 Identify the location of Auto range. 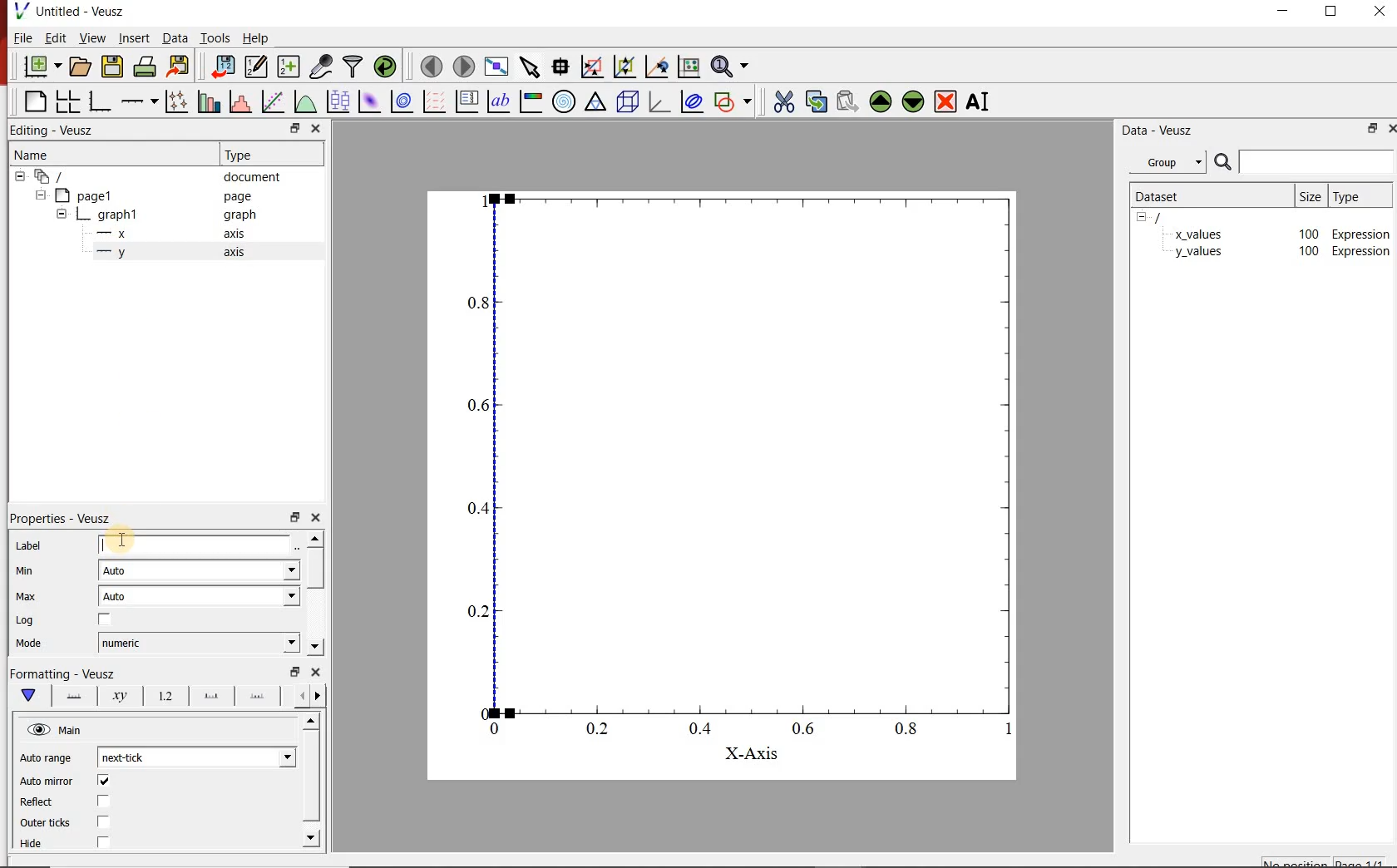
(47, 757).